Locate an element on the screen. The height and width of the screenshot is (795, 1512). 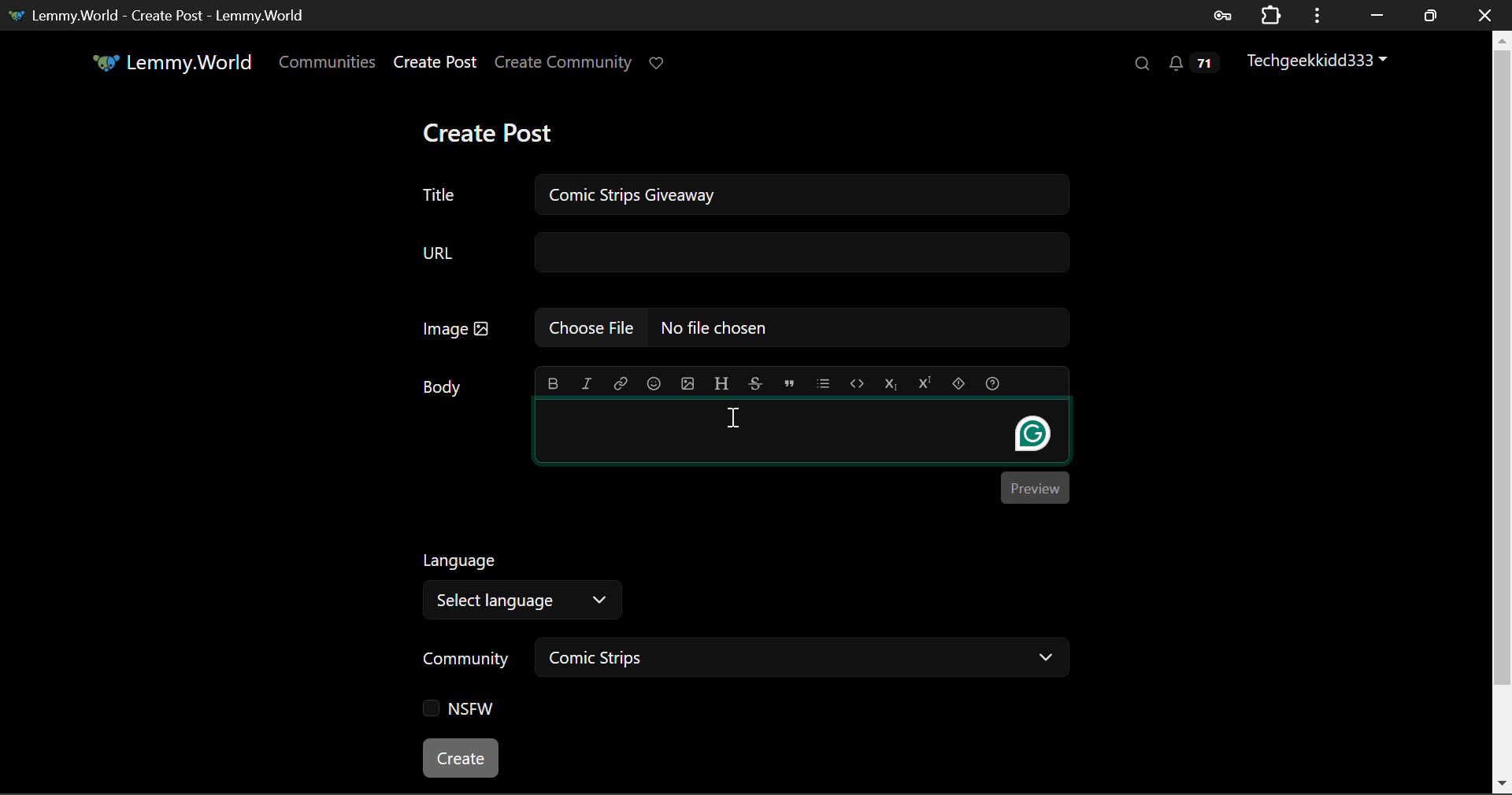
Cursor Position is located at coordinates (736, 420).